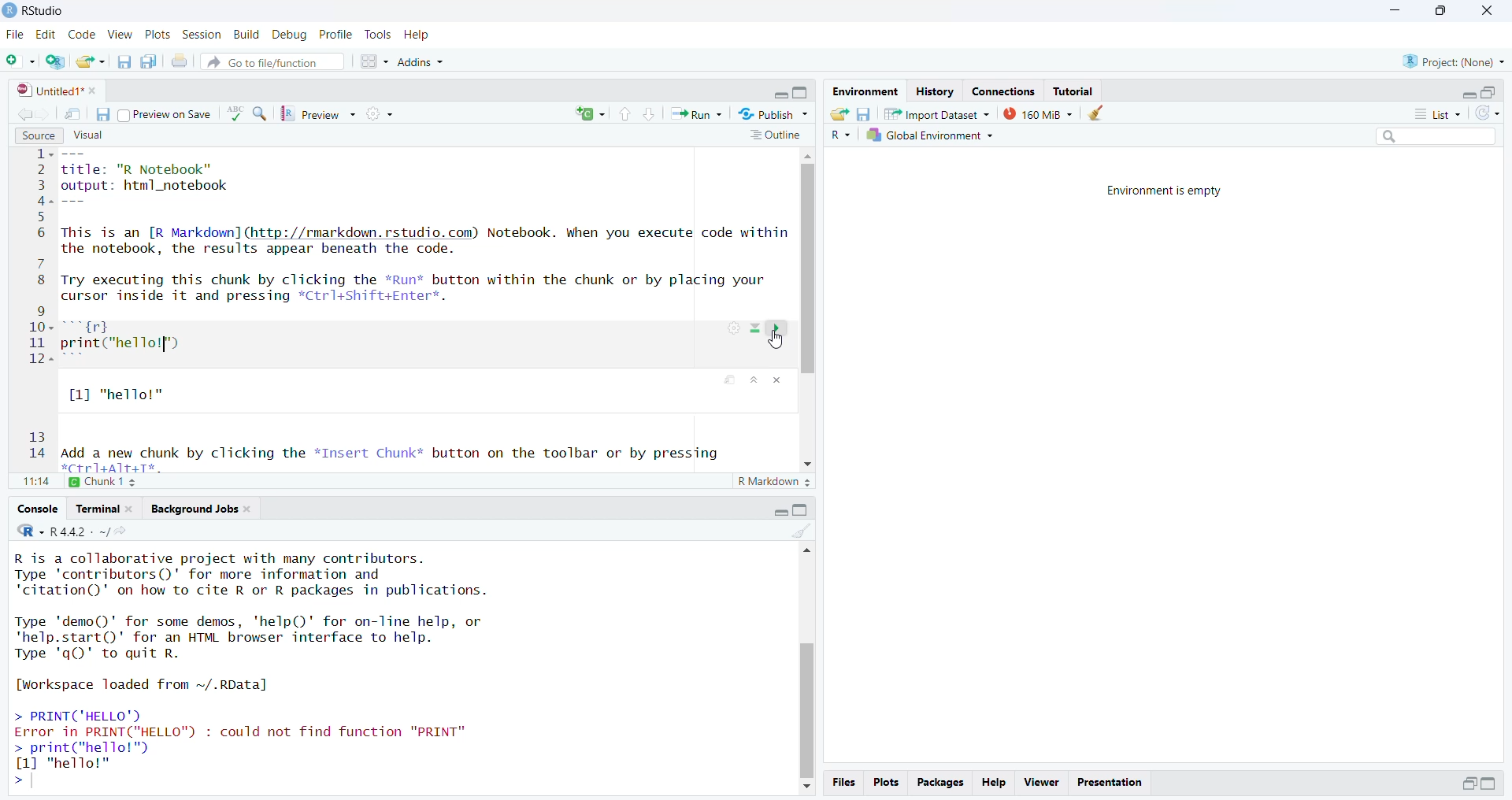  What do you see at coordinates (589, 114) in the screenshot?
I see `rerun the previous code region` at bounding box center [589, 114].